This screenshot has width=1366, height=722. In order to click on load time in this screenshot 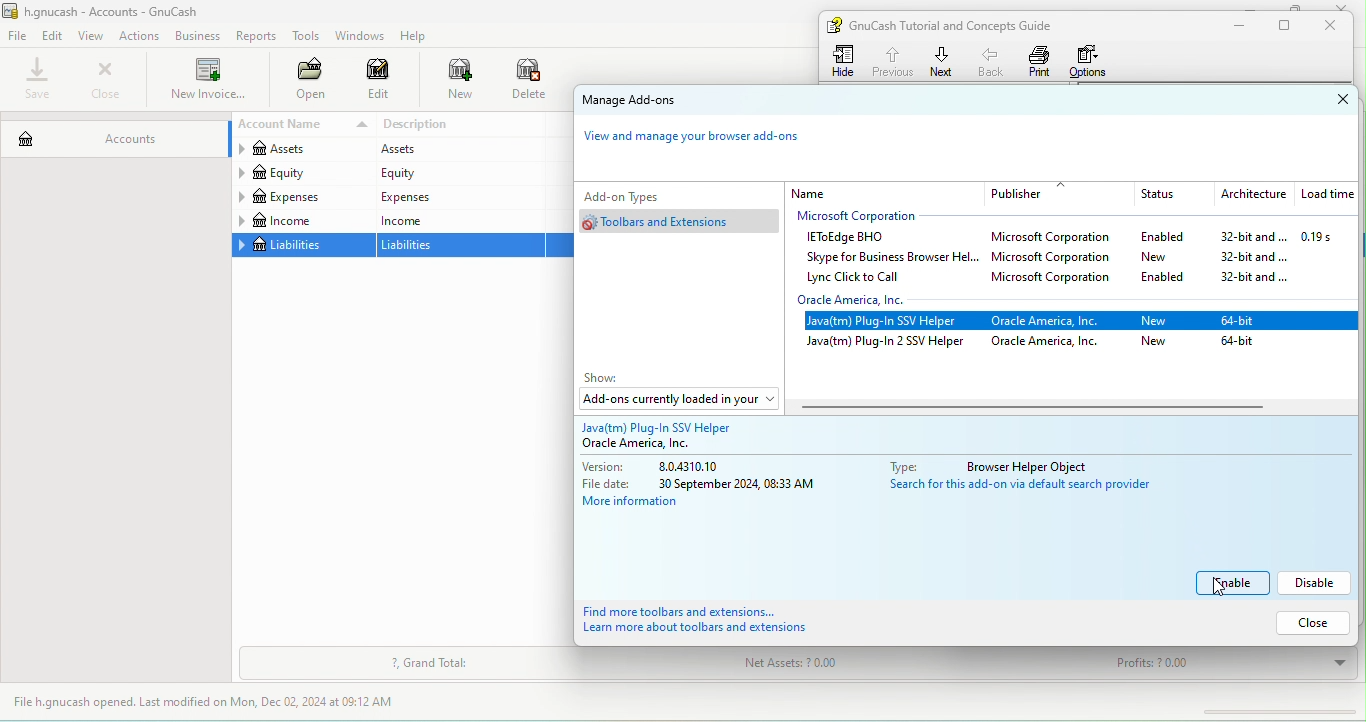, I will do `click(1325, 195)`.